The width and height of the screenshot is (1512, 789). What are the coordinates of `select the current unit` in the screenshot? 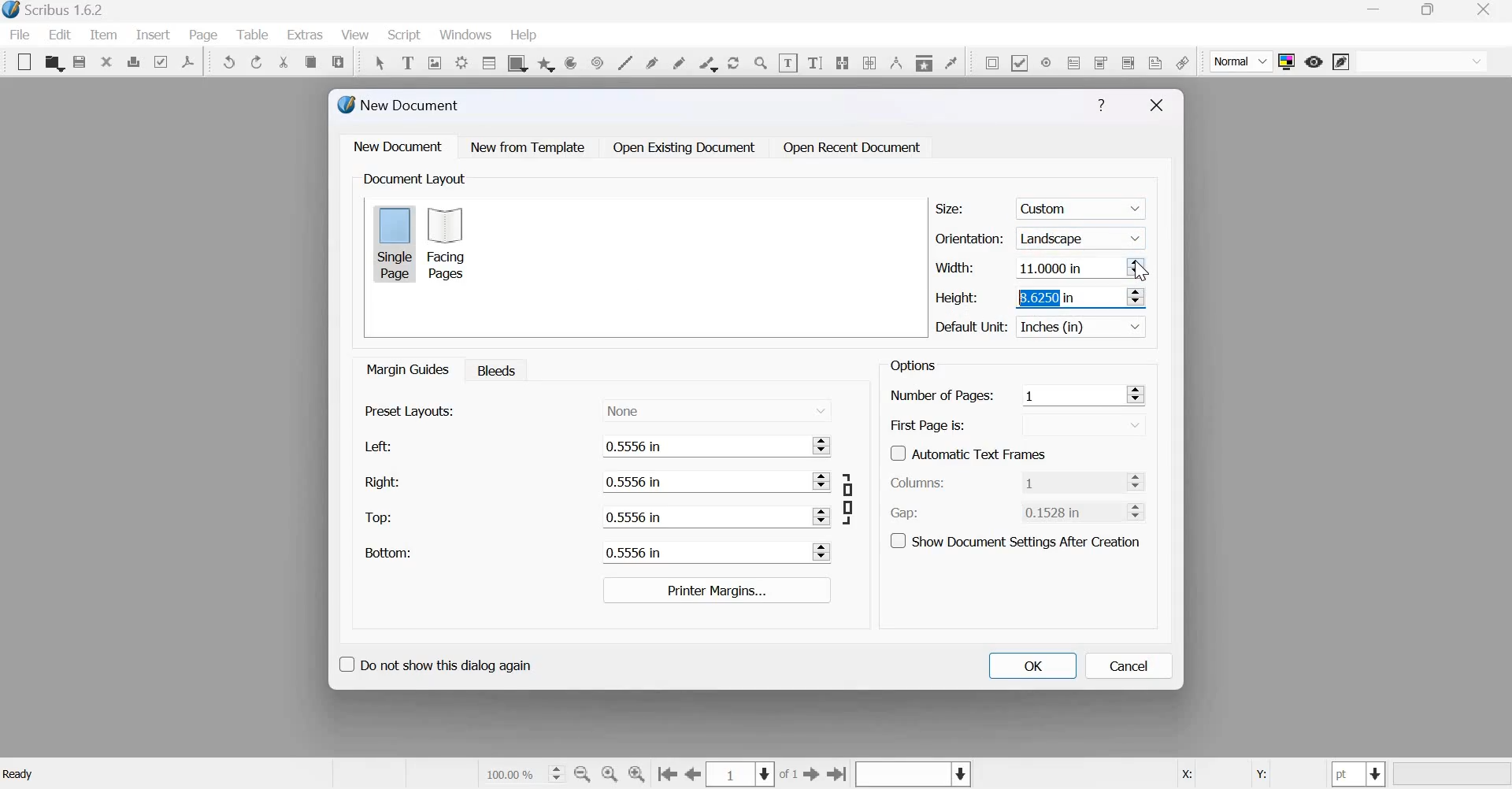 It's located at (1359, 774).